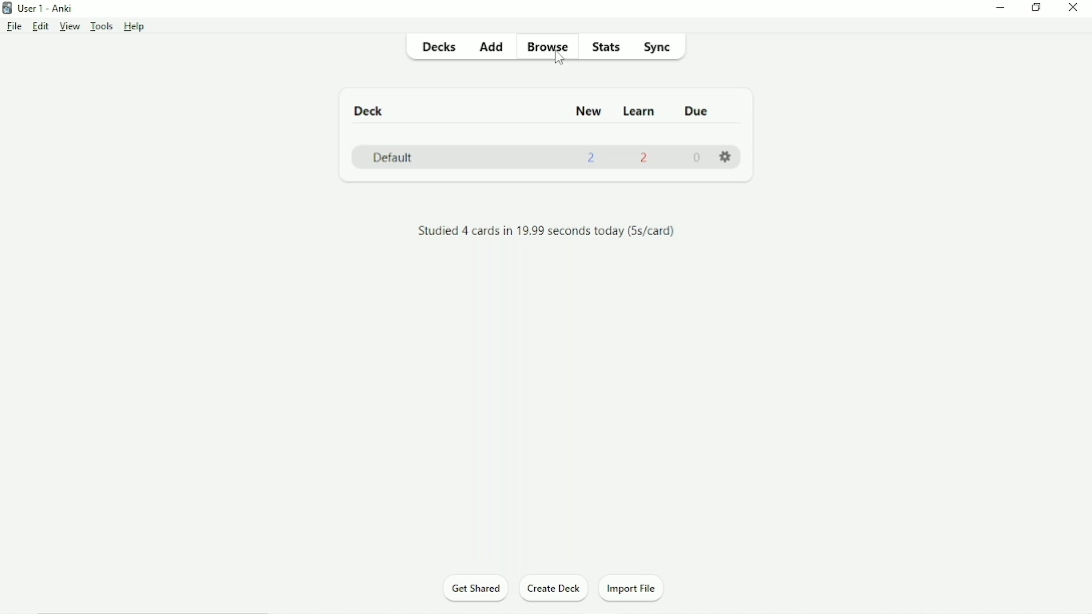 The height and width of the screenshot is (614, 1092). I want to click on Decks, so click(436, 47).